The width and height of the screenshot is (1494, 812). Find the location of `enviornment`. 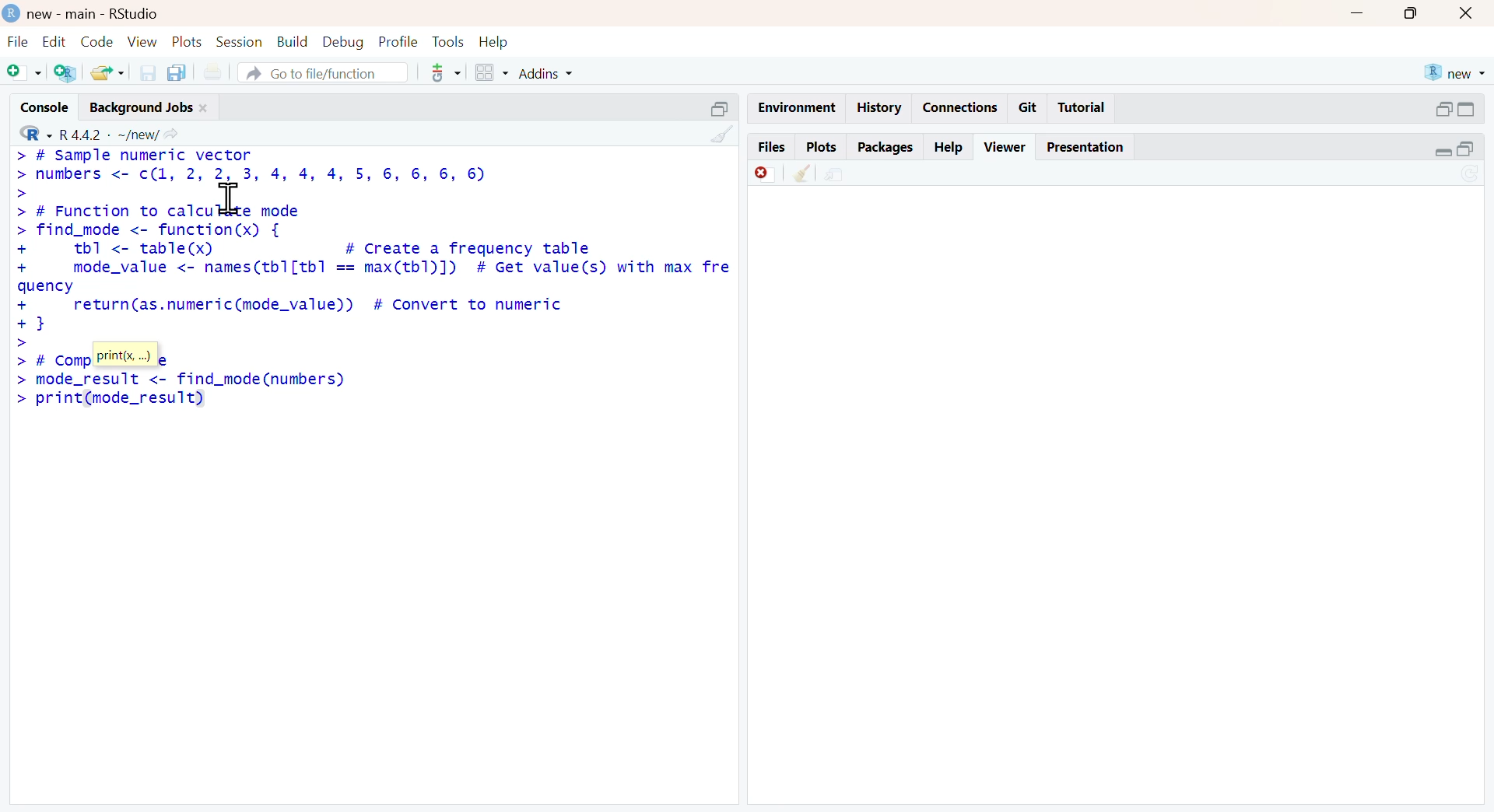

enviornment is located at coordinates (798, 107).